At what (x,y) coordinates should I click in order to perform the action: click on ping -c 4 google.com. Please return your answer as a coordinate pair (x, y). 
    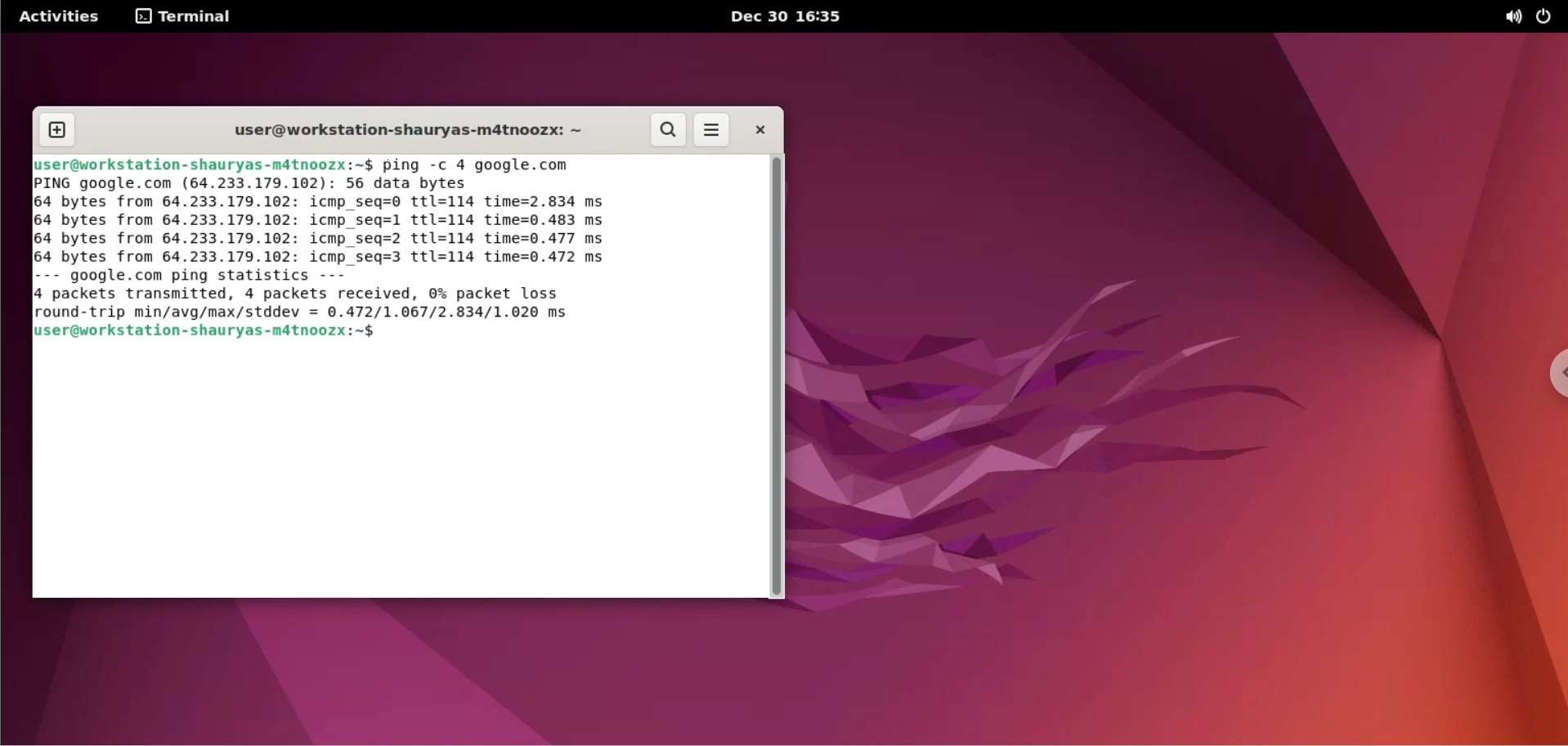
    Looking at the image, I should click on (482, 165).